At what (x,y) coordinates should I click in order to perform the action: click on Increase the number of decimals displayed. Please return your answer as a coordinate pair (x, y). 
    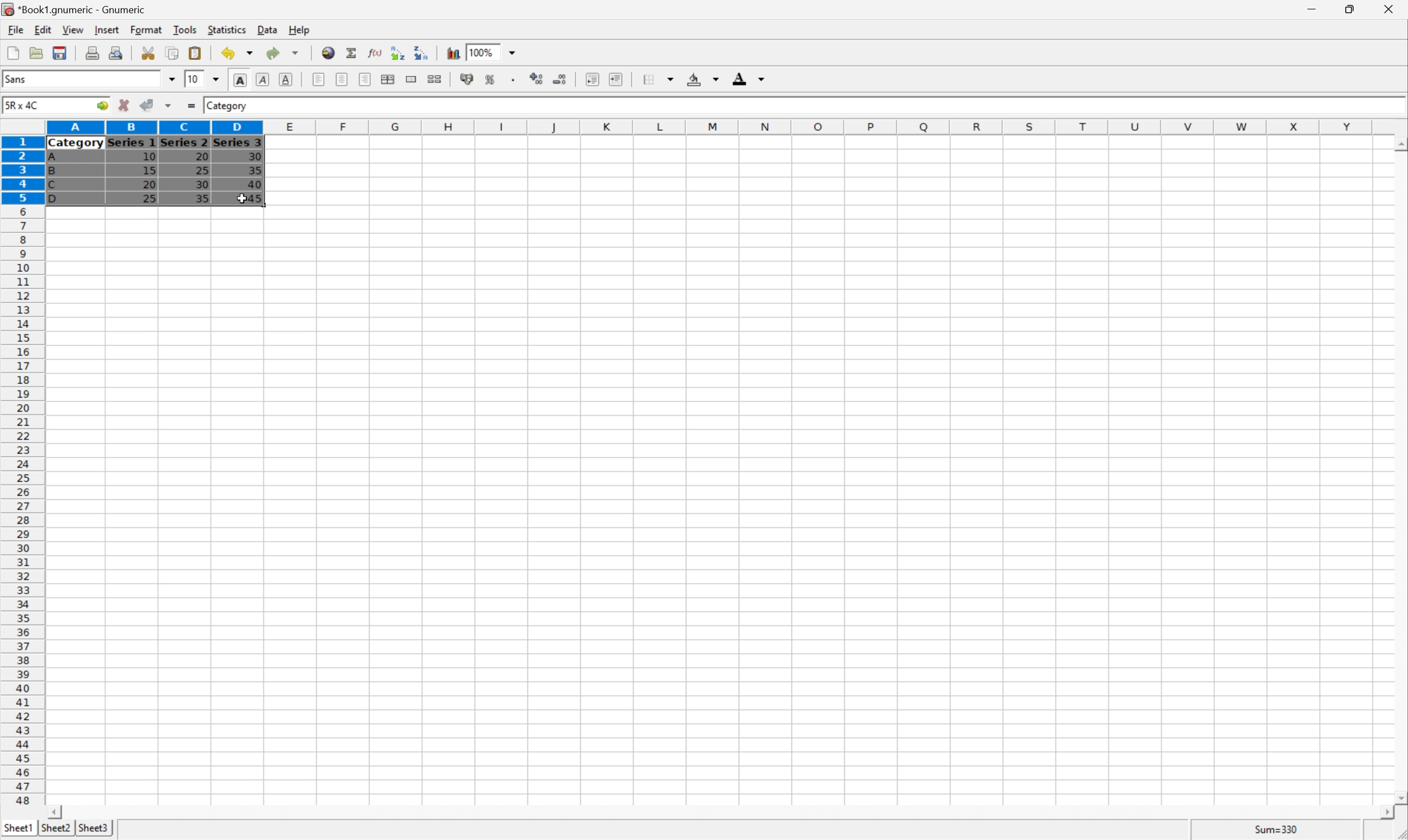
    Looking at the image, I should click on (537, 79).